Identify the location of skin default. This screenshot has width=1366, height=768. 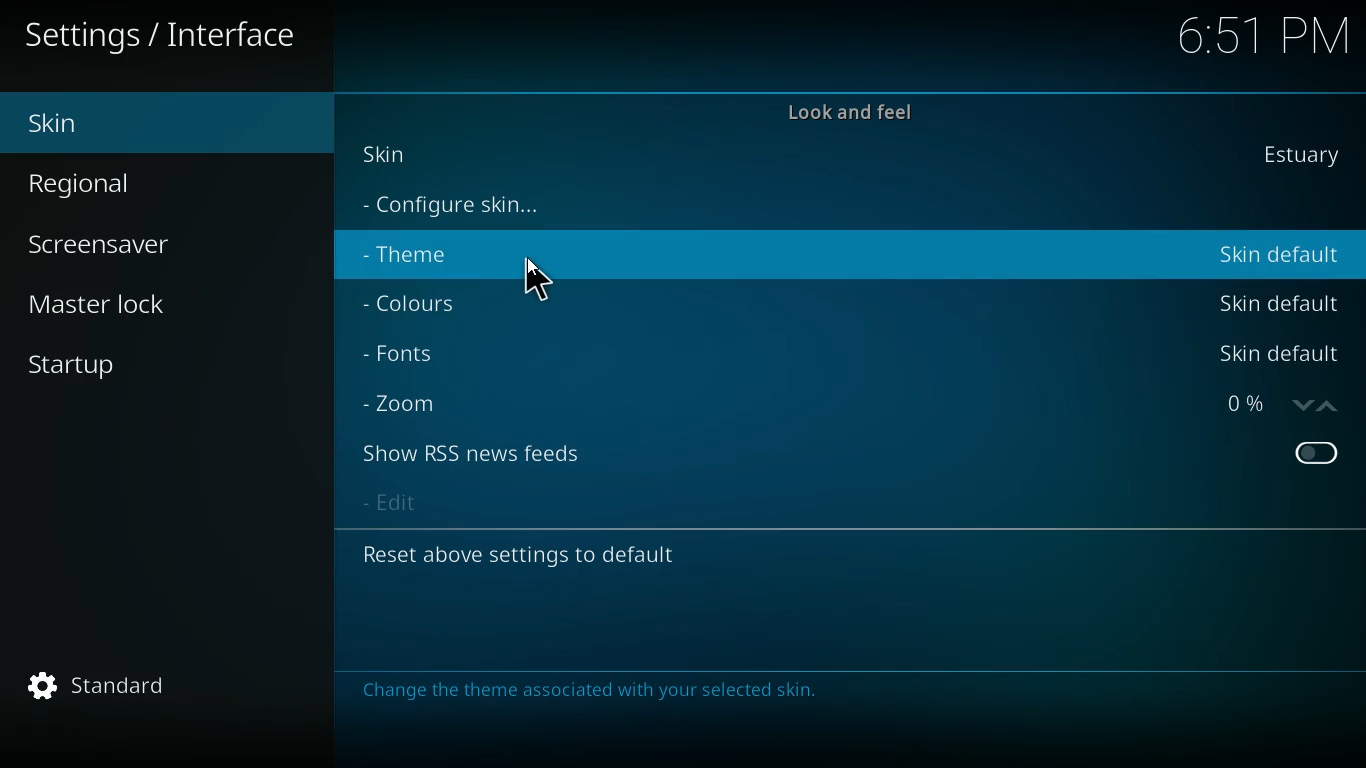
(1278, 302).